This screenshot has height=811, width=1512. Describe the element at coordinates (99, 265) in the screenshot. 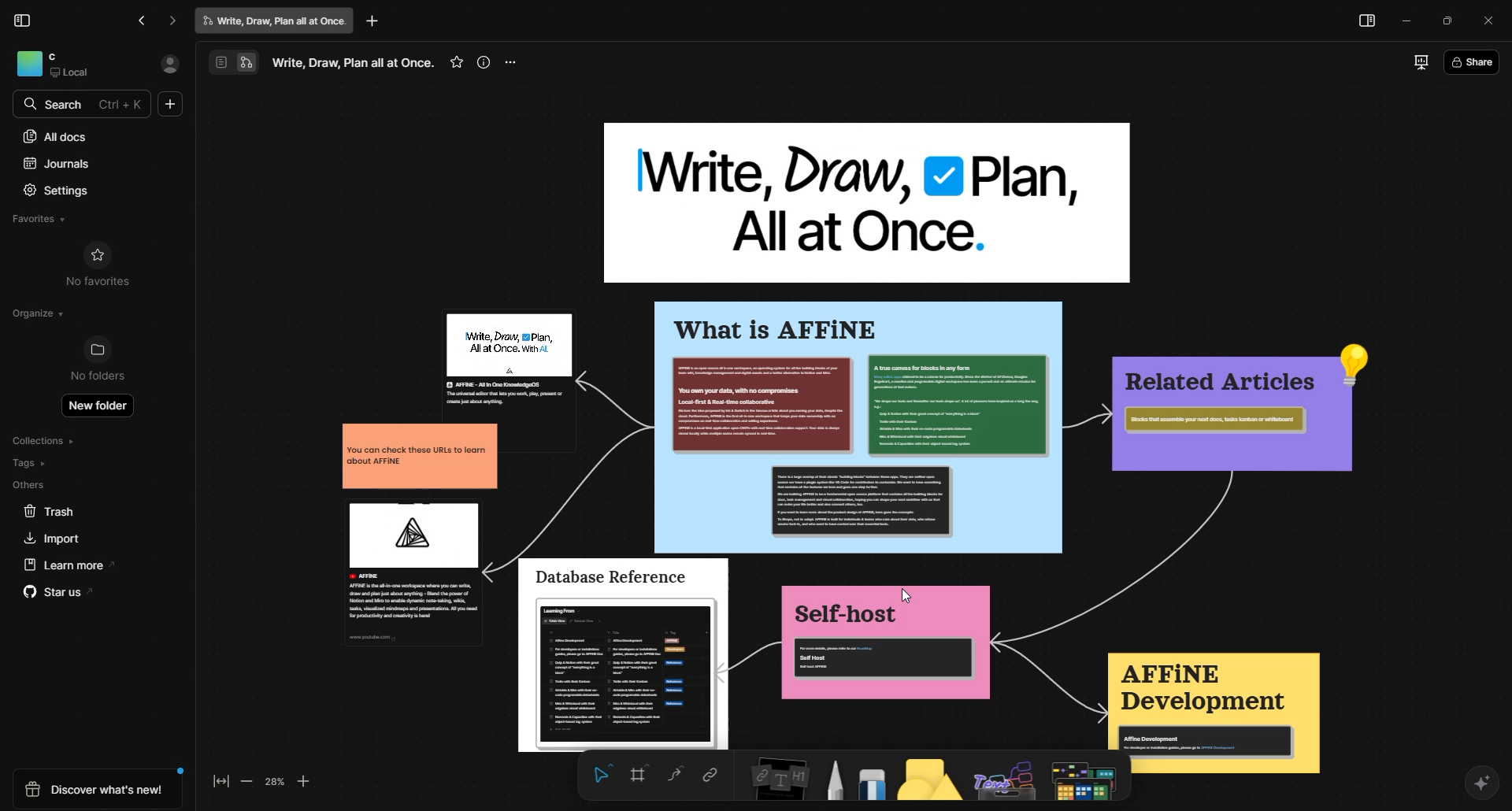

I see `no favorites` at that location.